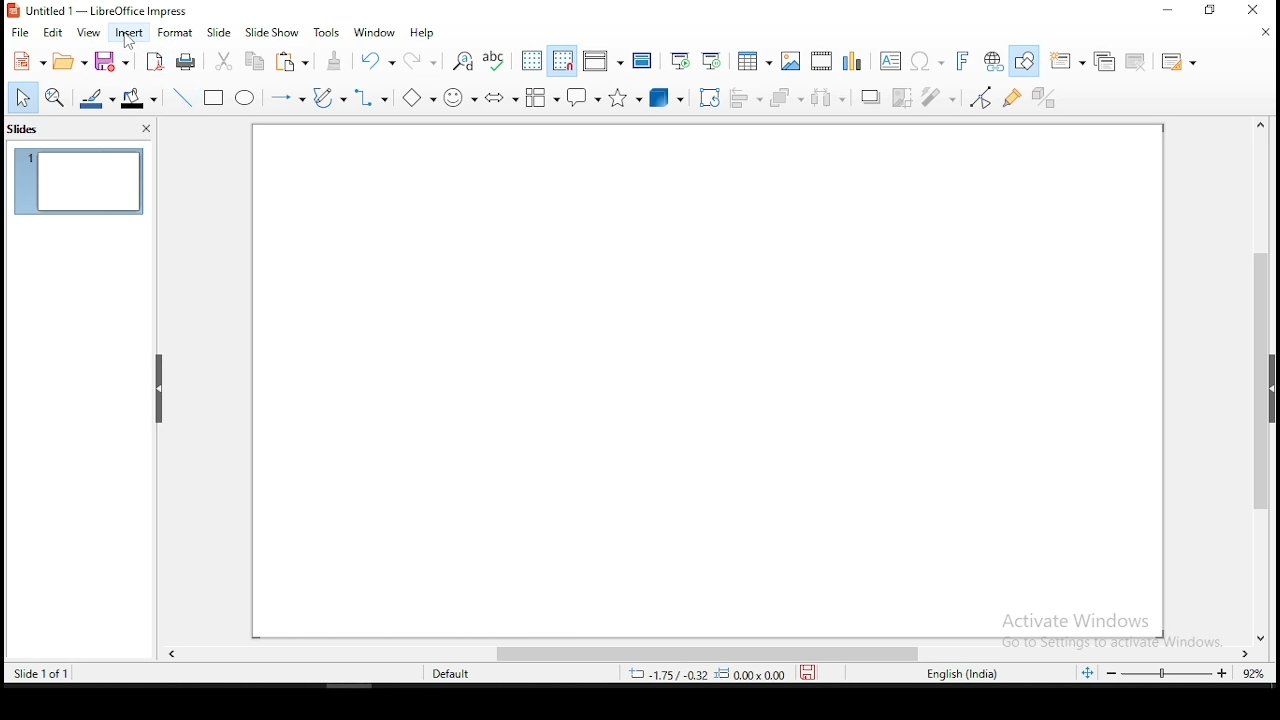 The width and height of the screenshot is (1280, 720). Describe the element at coordinates (188, 63) in the screenshot. I see `print` at that location.